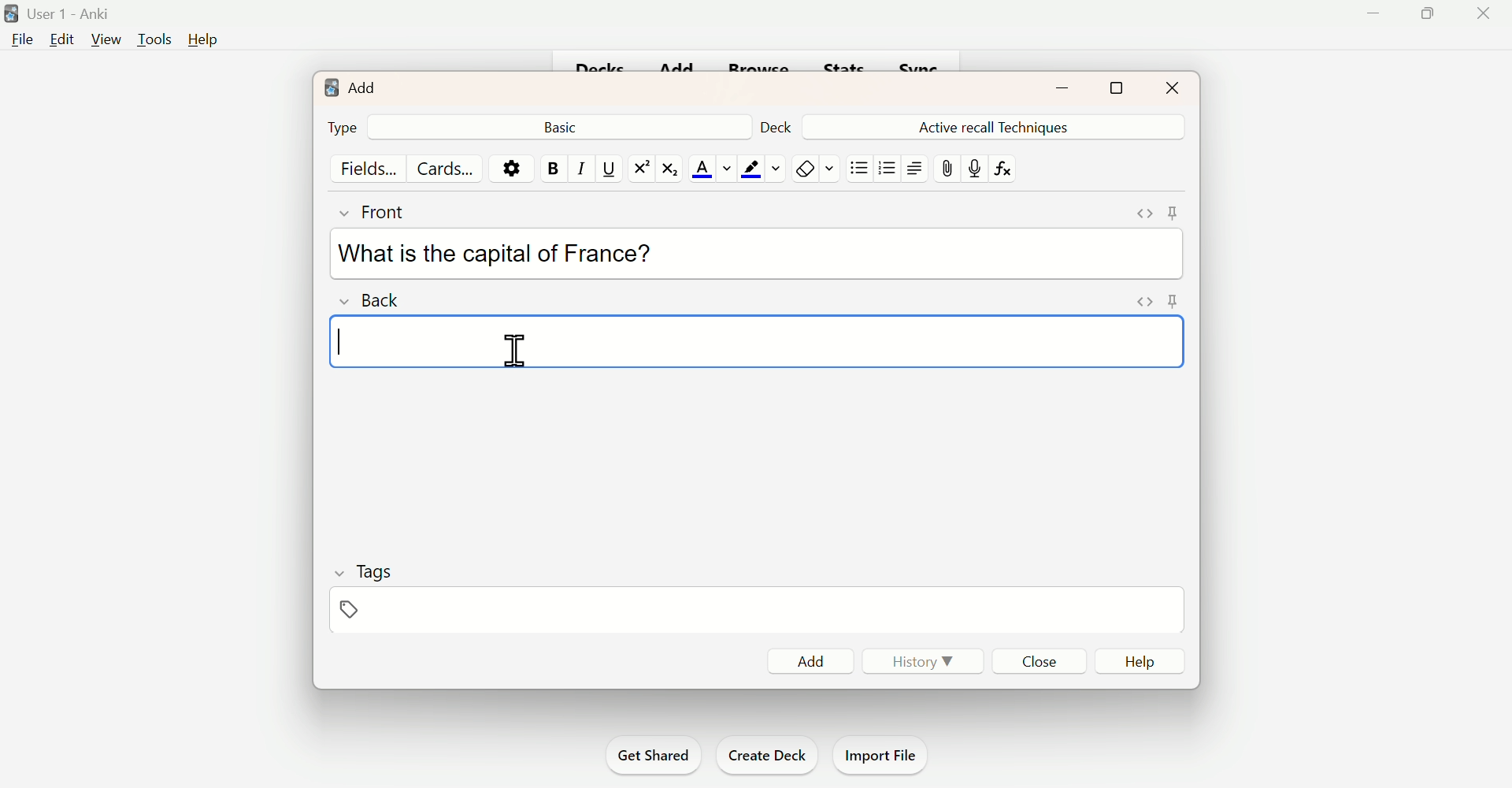 The image size is (1512, 788). Describe the element at coordinates (884, 755) in the screenshot. I see `Import File` at that location.